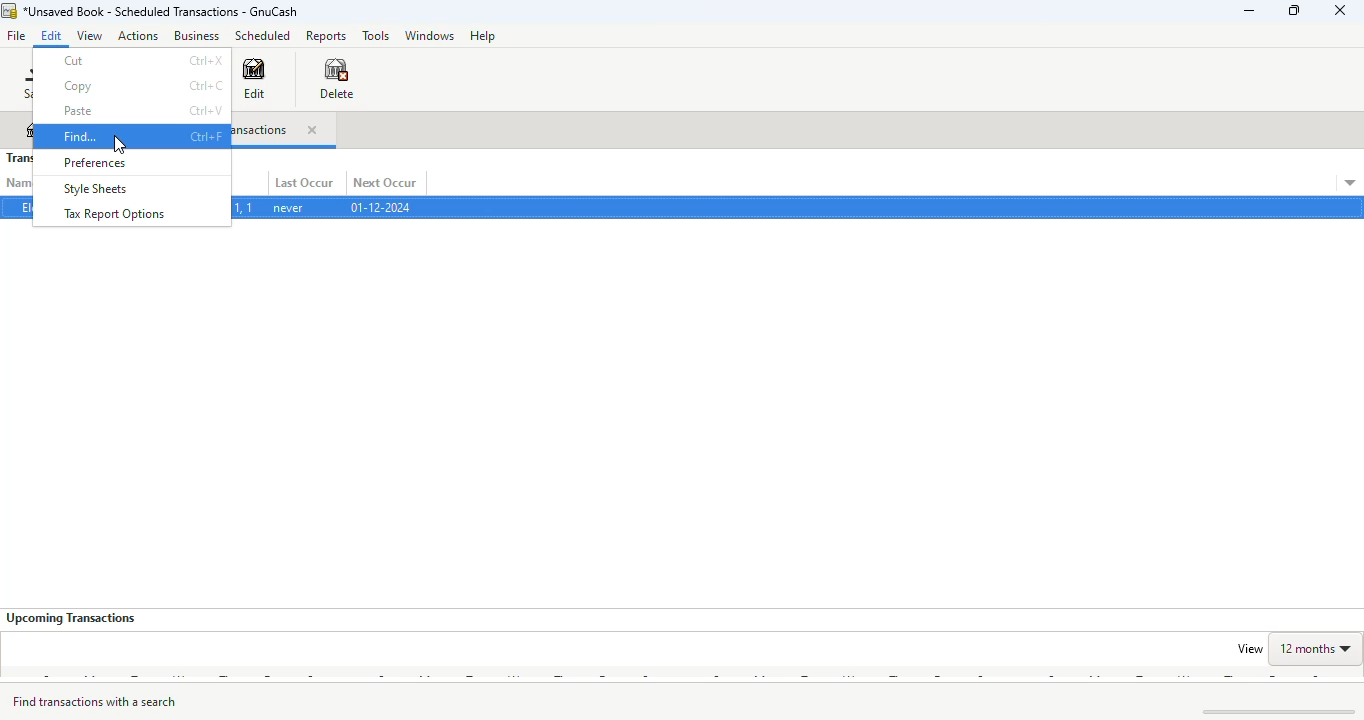 The image size is (1364, 720). Describe the element at coordinates (1341, 10) in the screenshot. I see `close` at that location.